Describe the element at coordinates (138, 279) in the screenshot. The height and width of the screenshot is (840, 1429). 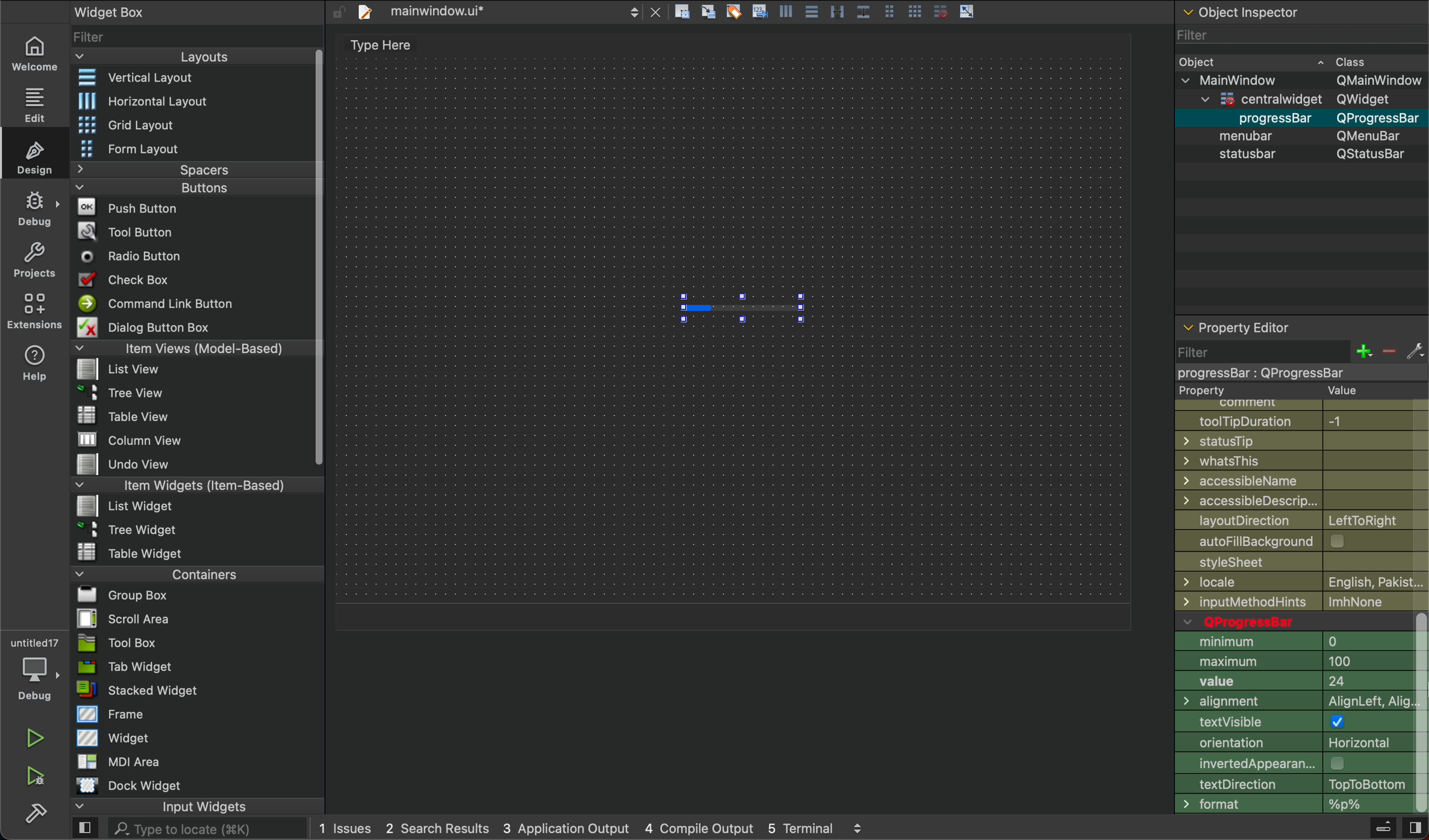
I see `Check Box` at that location.